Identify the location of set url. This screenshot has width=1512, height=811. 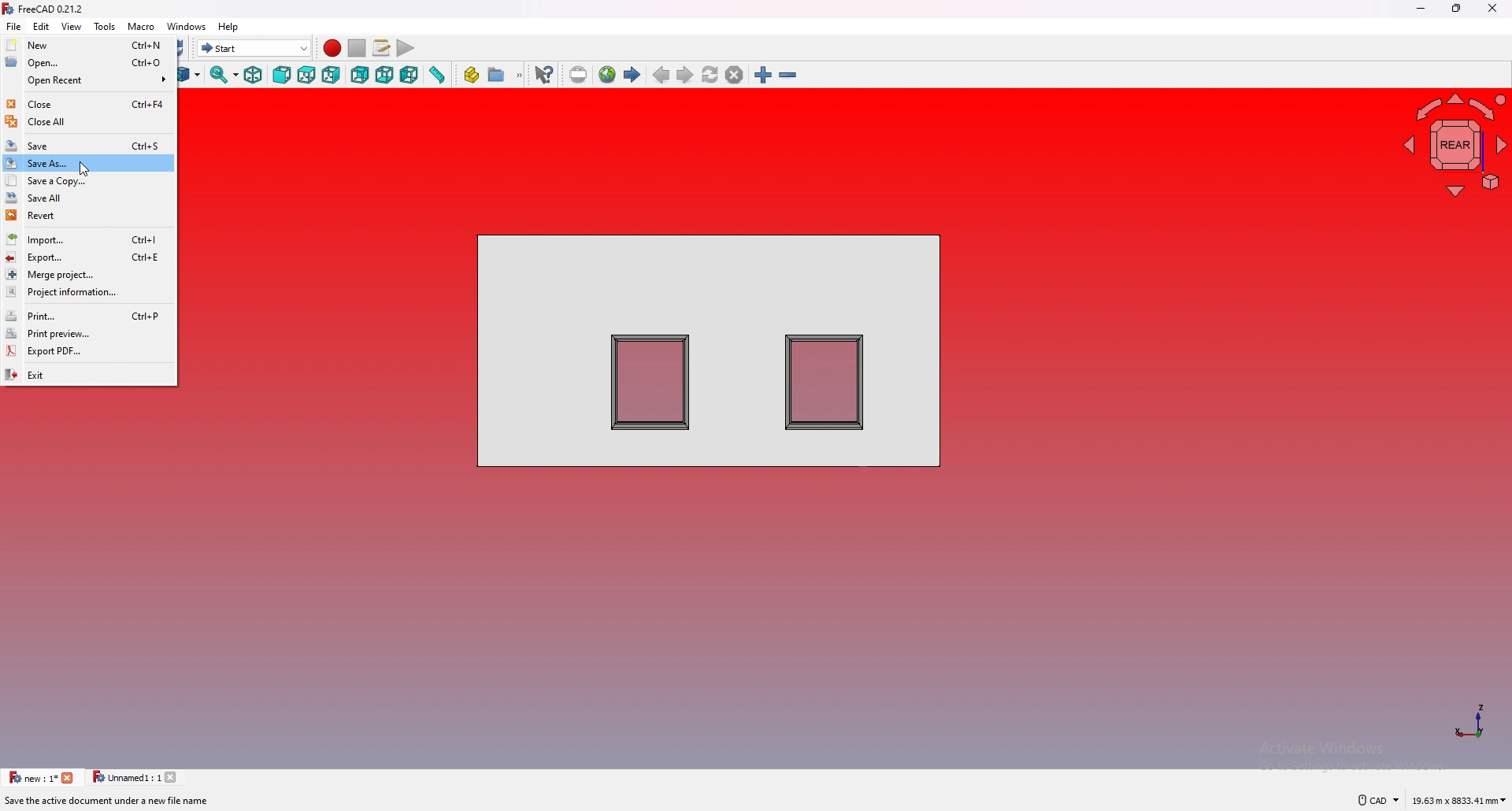
(577, 74).